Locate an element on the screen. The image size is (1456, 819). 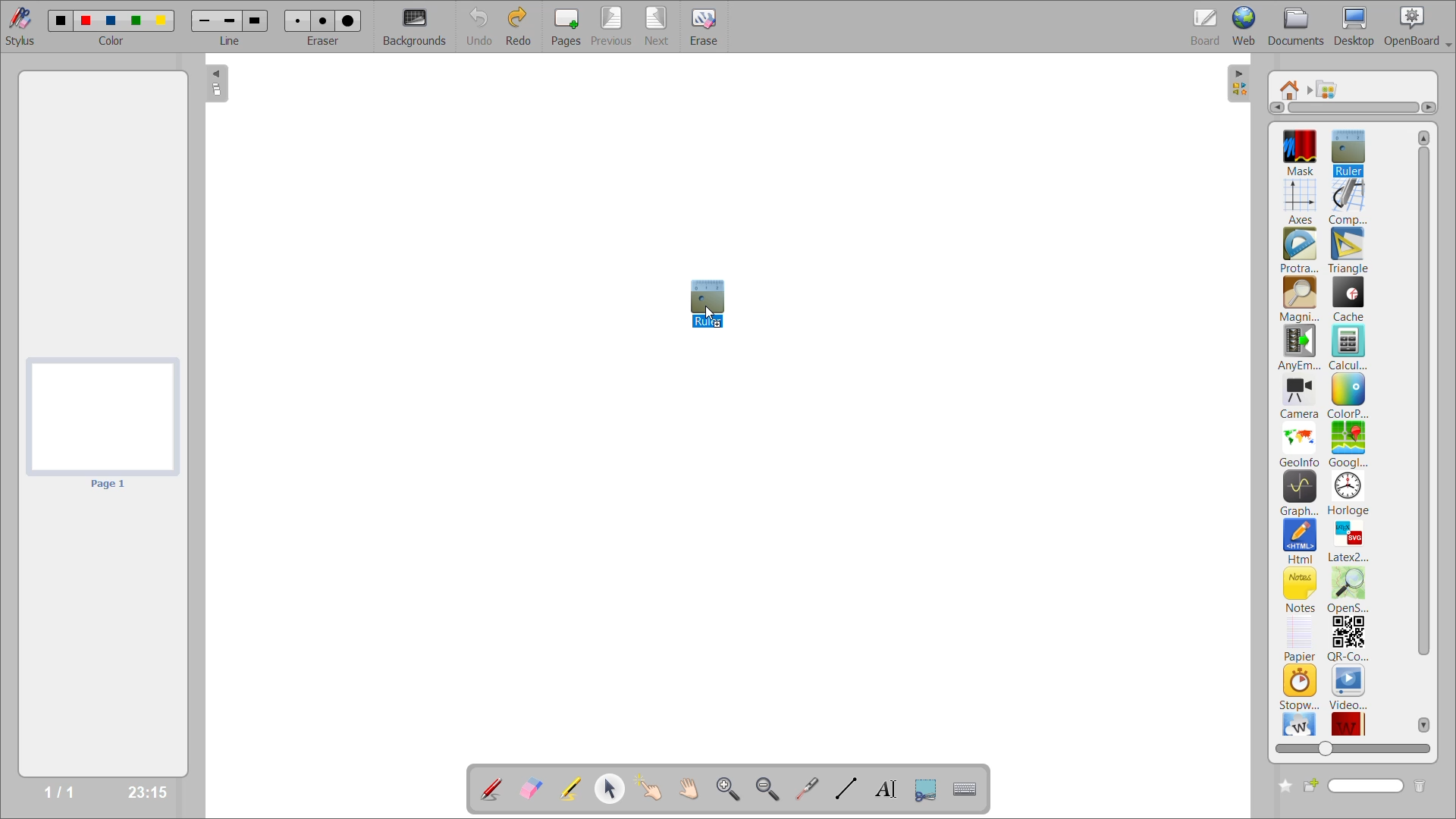
pages is located at coordinates (570, 24).